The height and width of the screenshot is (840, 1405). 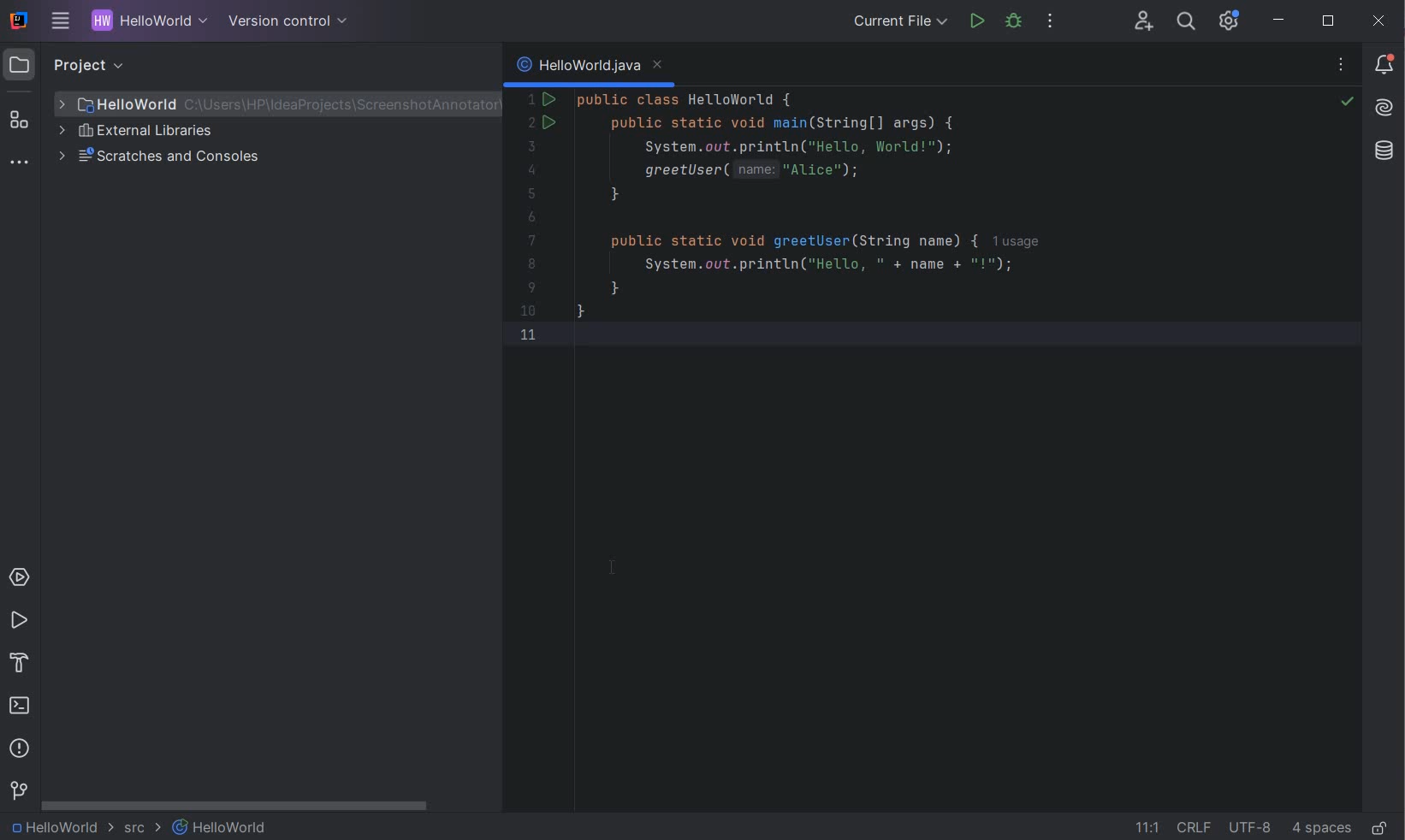 I want to click on NOTIFICATIONS, so click(x=1385, y=63).